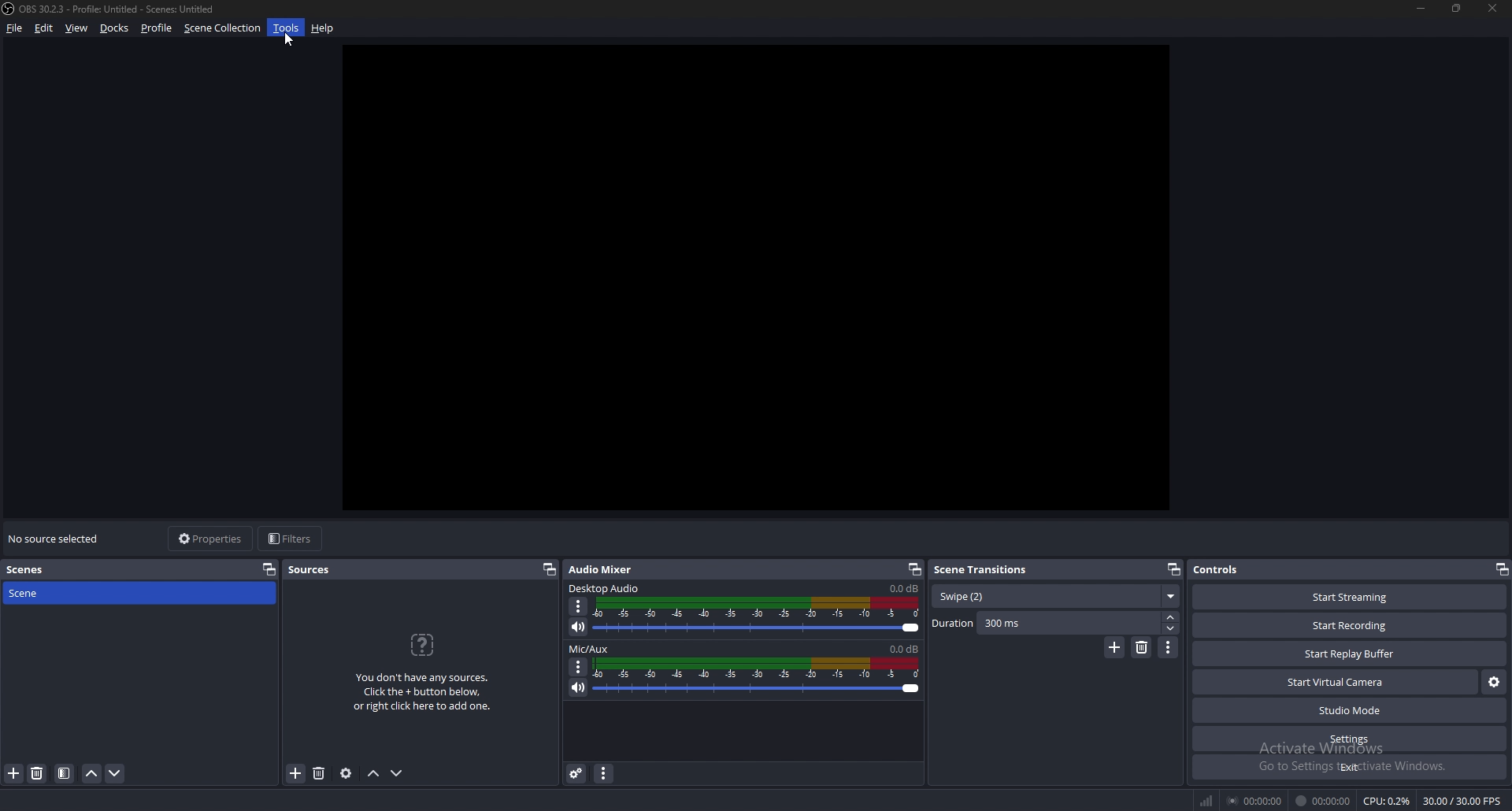  Describe the element at coordinates (1495, 683) in the screenshot. I see `configure virtual camera` at that location.